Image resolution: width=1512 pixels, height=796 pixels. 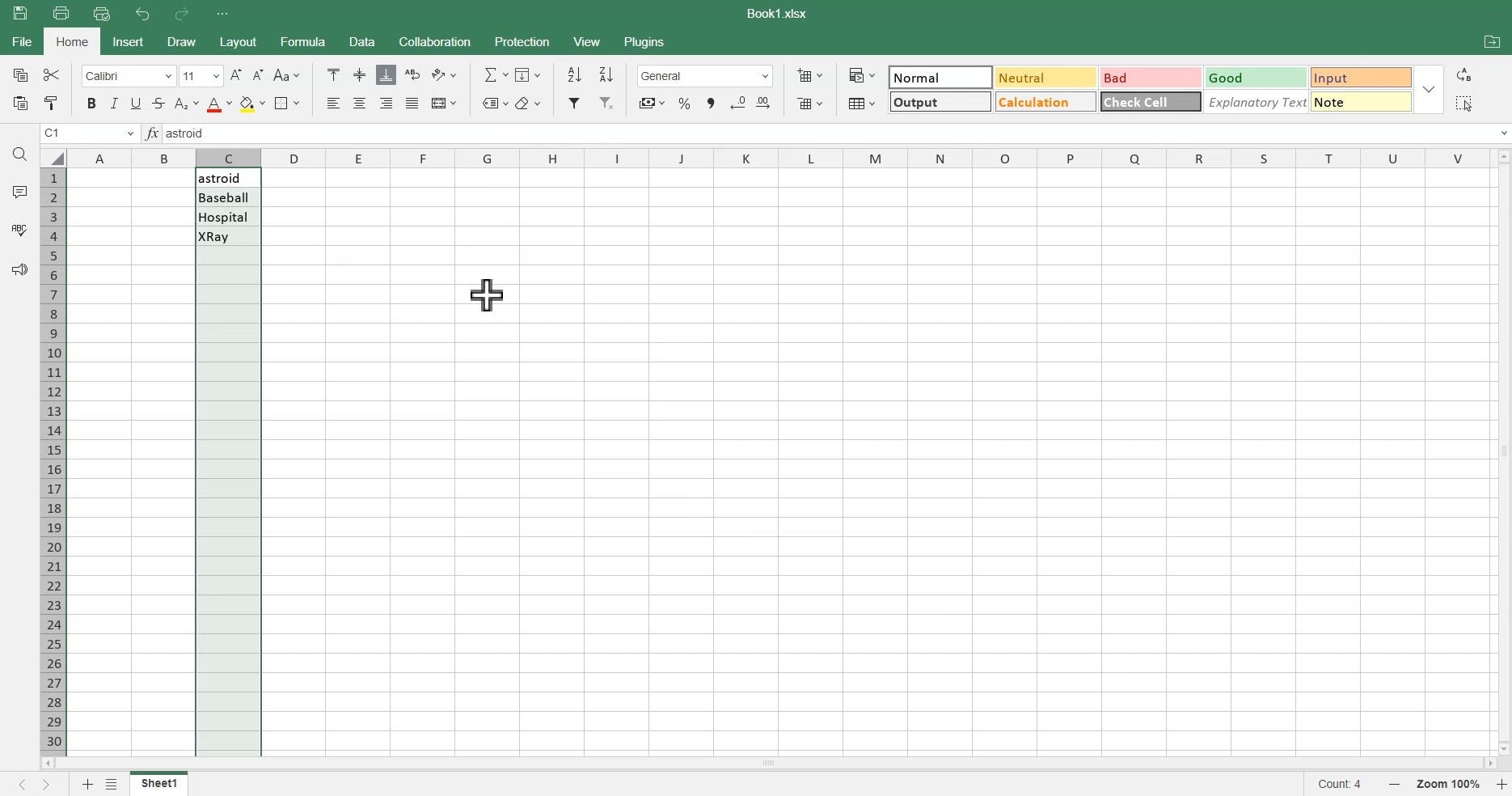 What do you see at coordinates (1363, 105) in the screenshot?
I see `Note` at bounding box center [1363, 105].